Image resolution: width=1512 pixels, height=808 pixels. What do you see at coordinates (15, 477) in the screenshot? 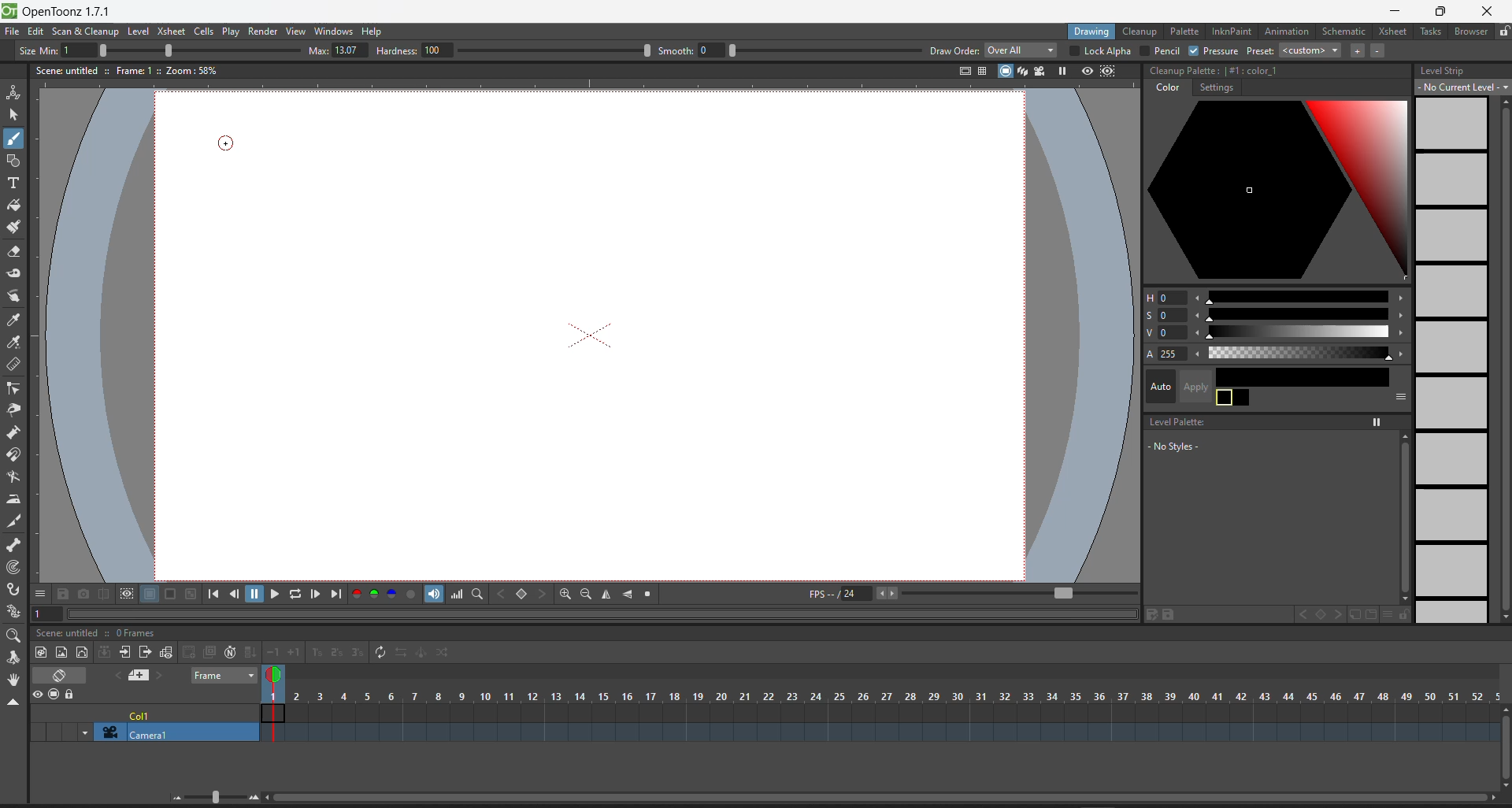
I see `blender tool` at bounding box center [15, 477].